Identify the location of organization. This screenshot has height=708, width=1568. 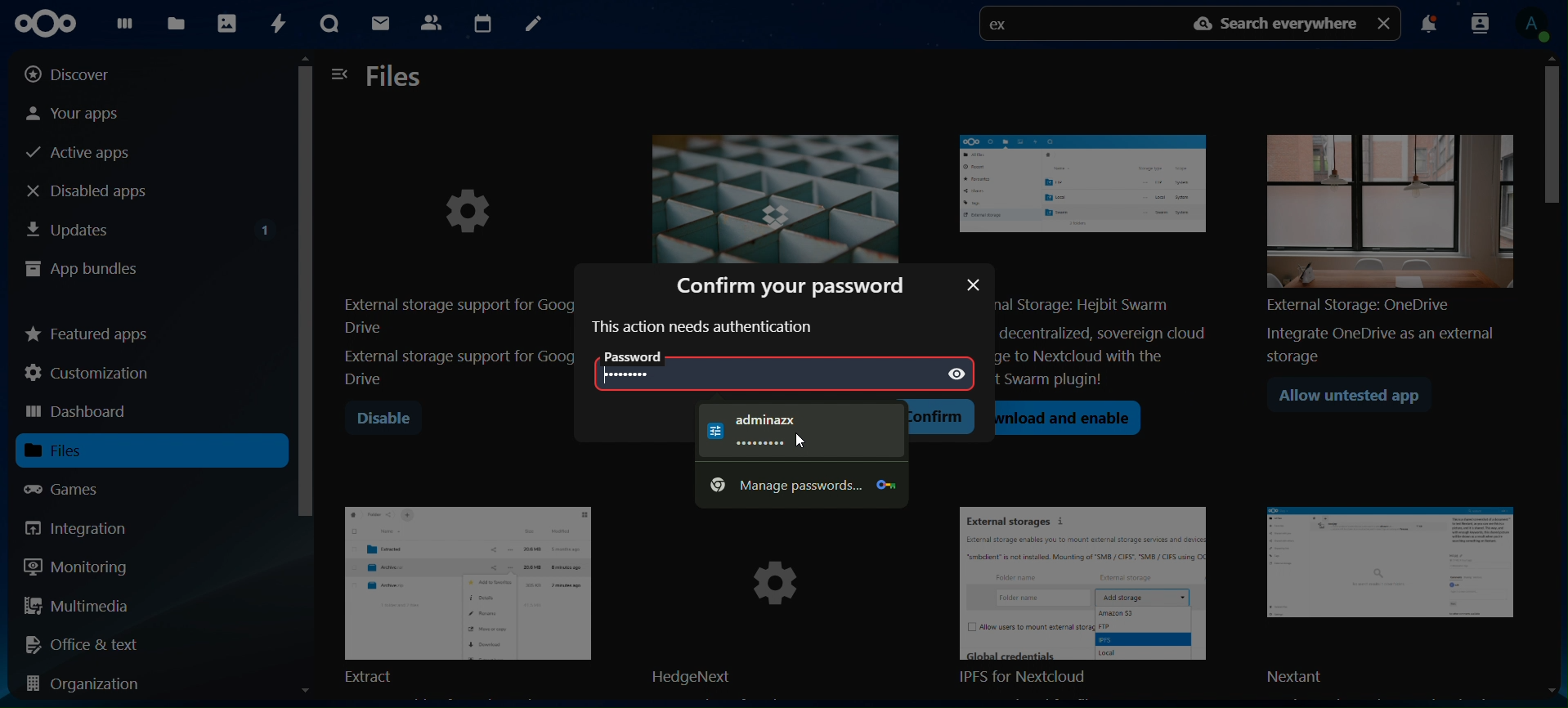
(90, 685).